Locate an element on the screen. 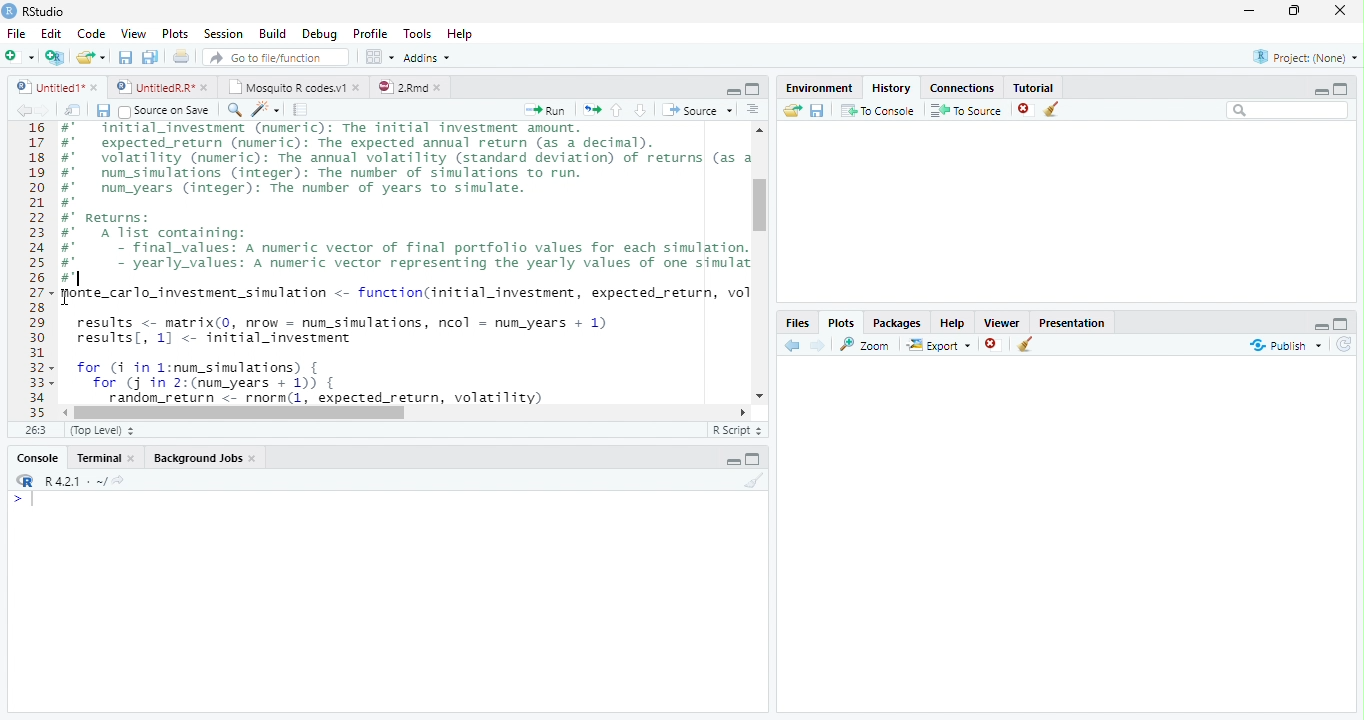 Image resolution: width=1364 pixels, height=720 pixels. Plots is located at coordinates (174, 34).